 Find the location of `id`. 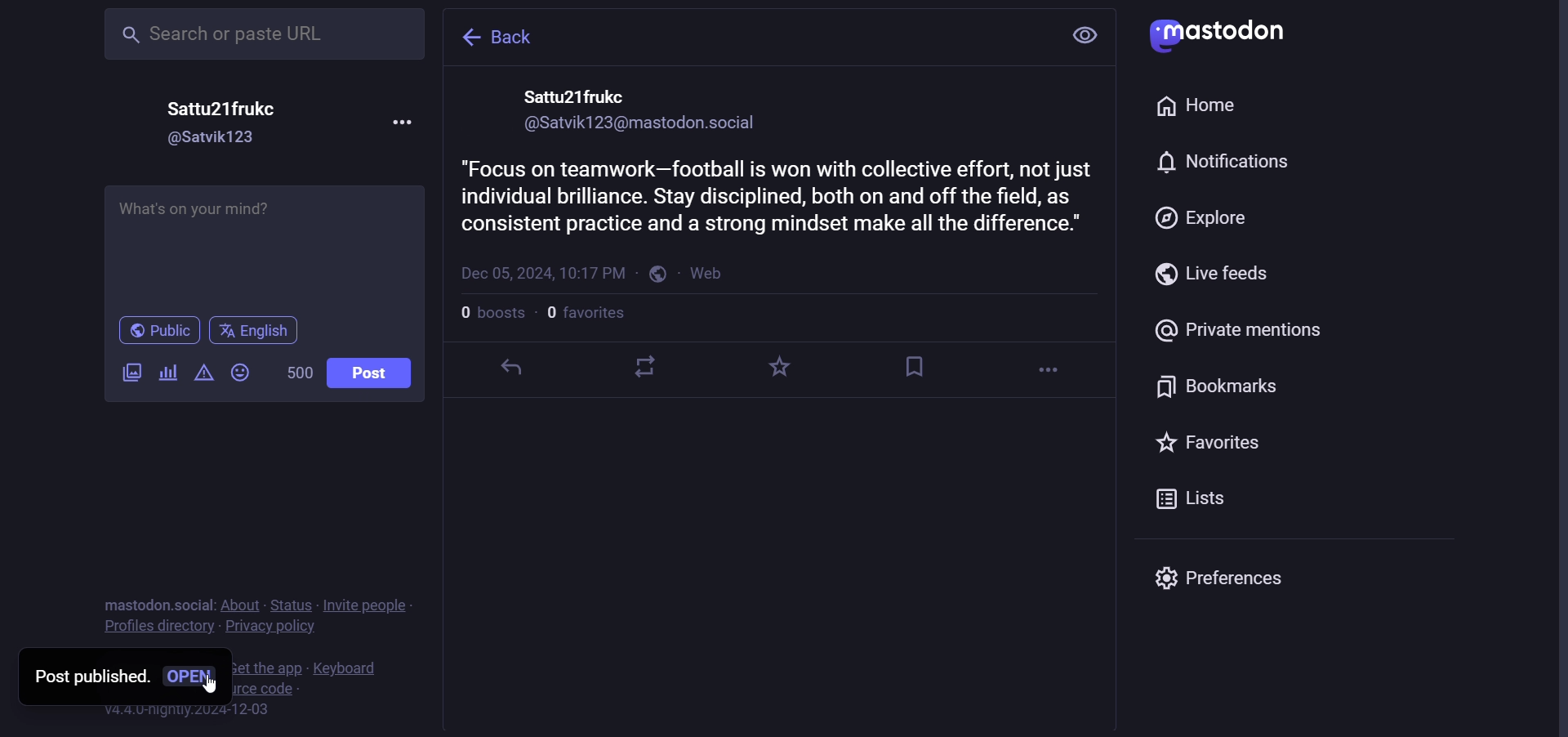

id is located at coordinates (655, 125).